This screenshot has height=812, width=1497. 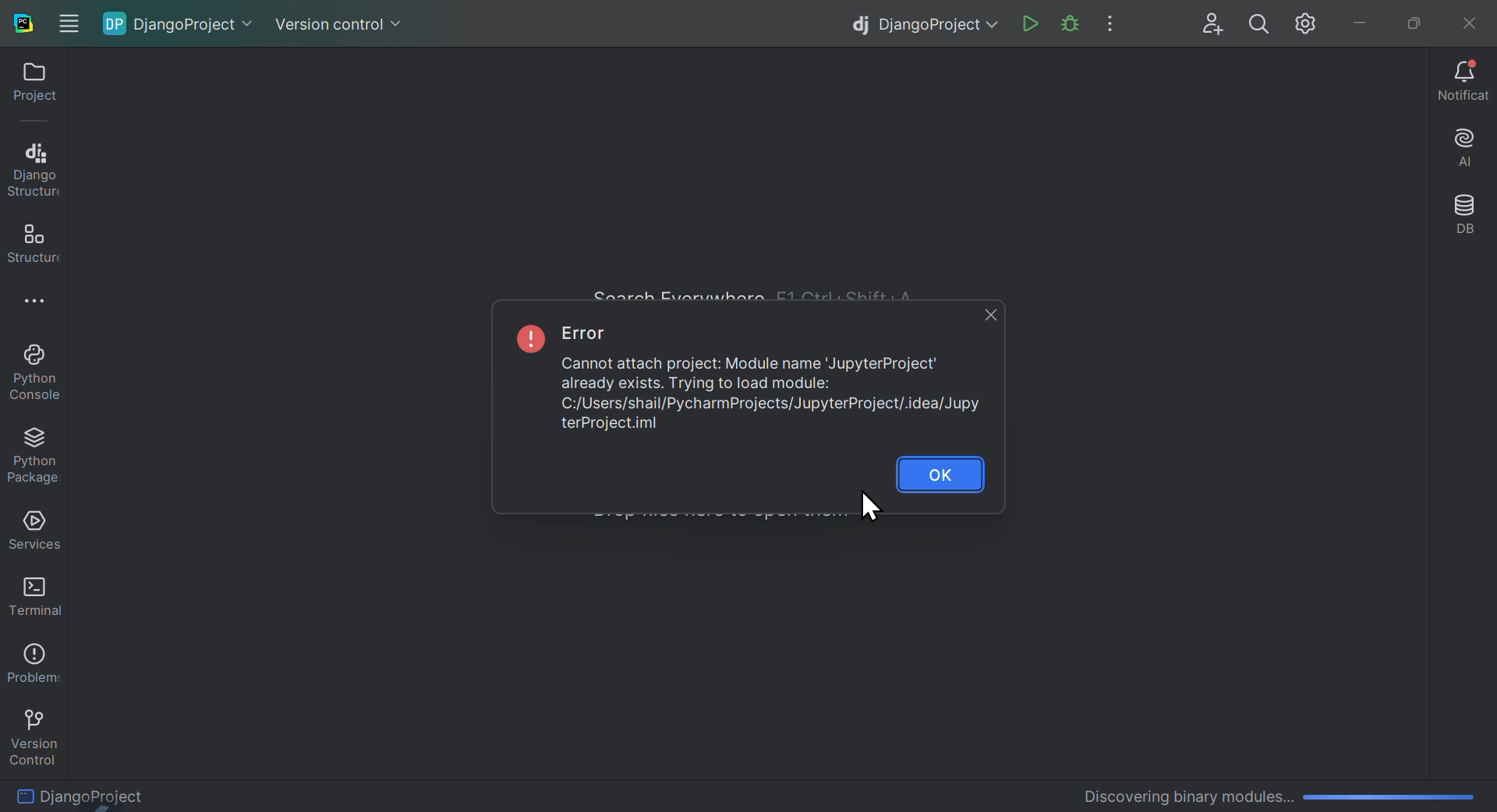 What do you see at coordinates (134, 793) in the screenshot?
I see `Django Project` at bounding box center [134, 793].